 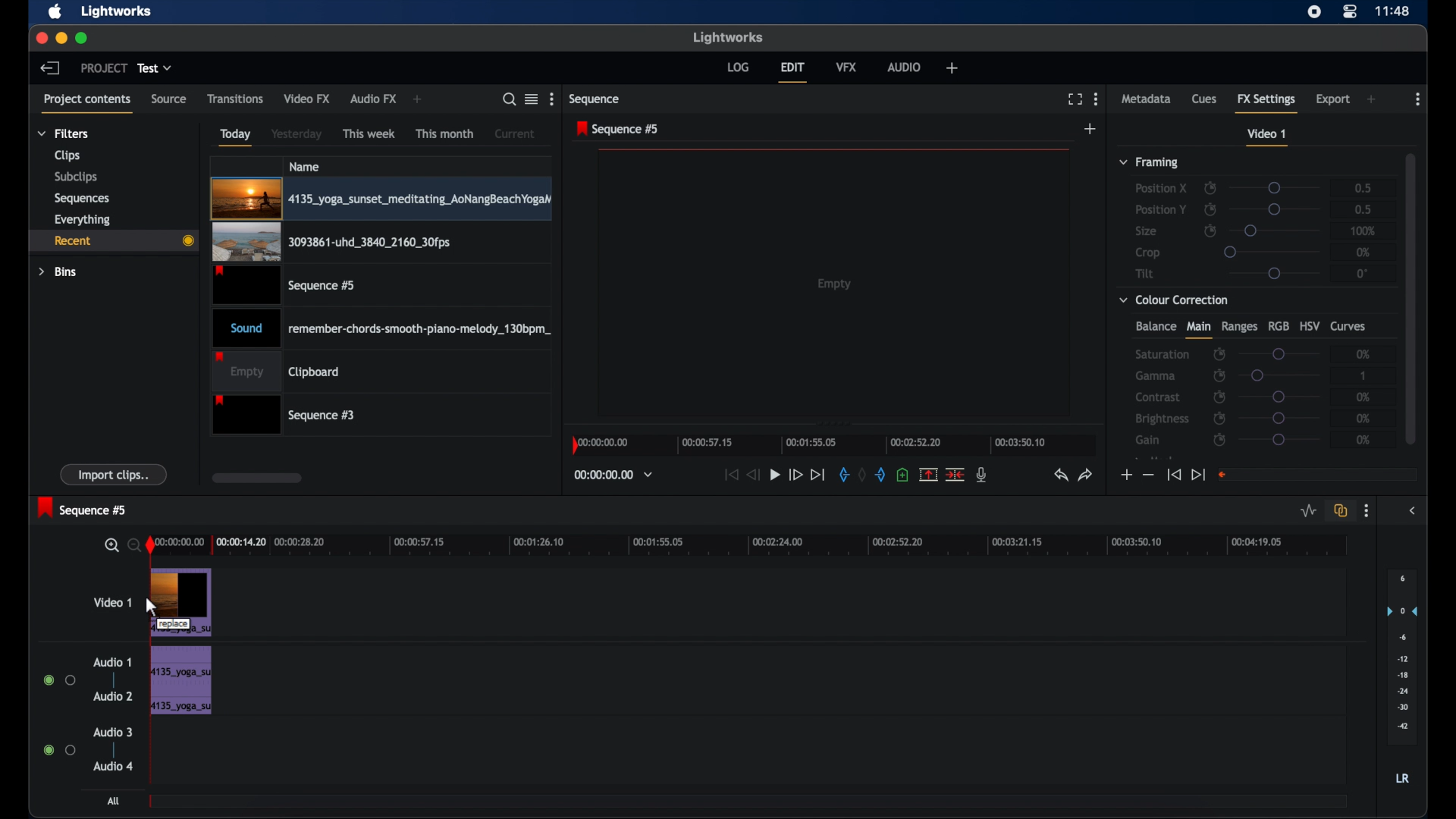 I want to click on position x, so click(x=1161, y=187).